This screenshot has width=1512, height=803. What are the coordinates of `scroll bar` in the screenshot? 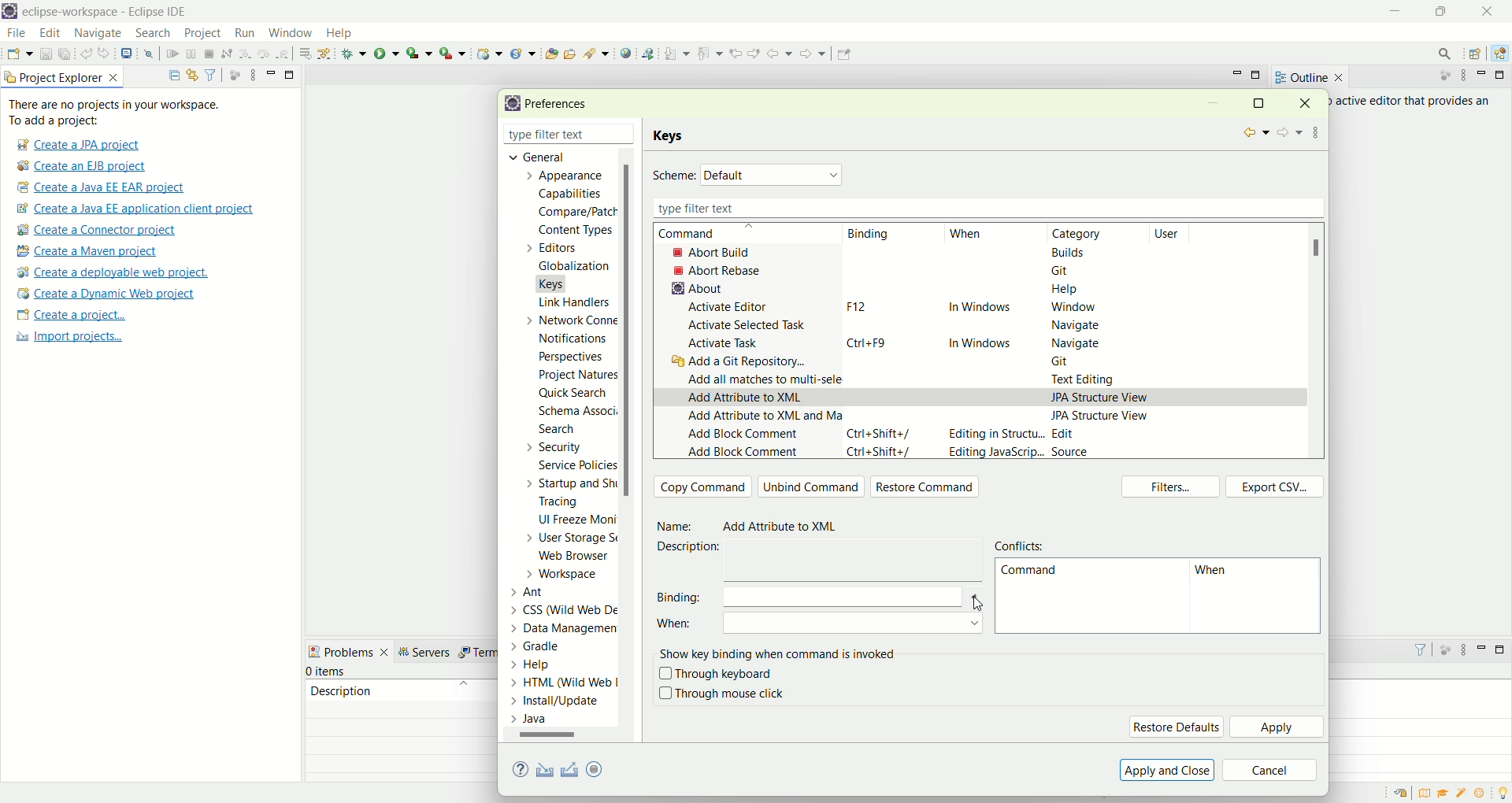 It's located at (554, 738).